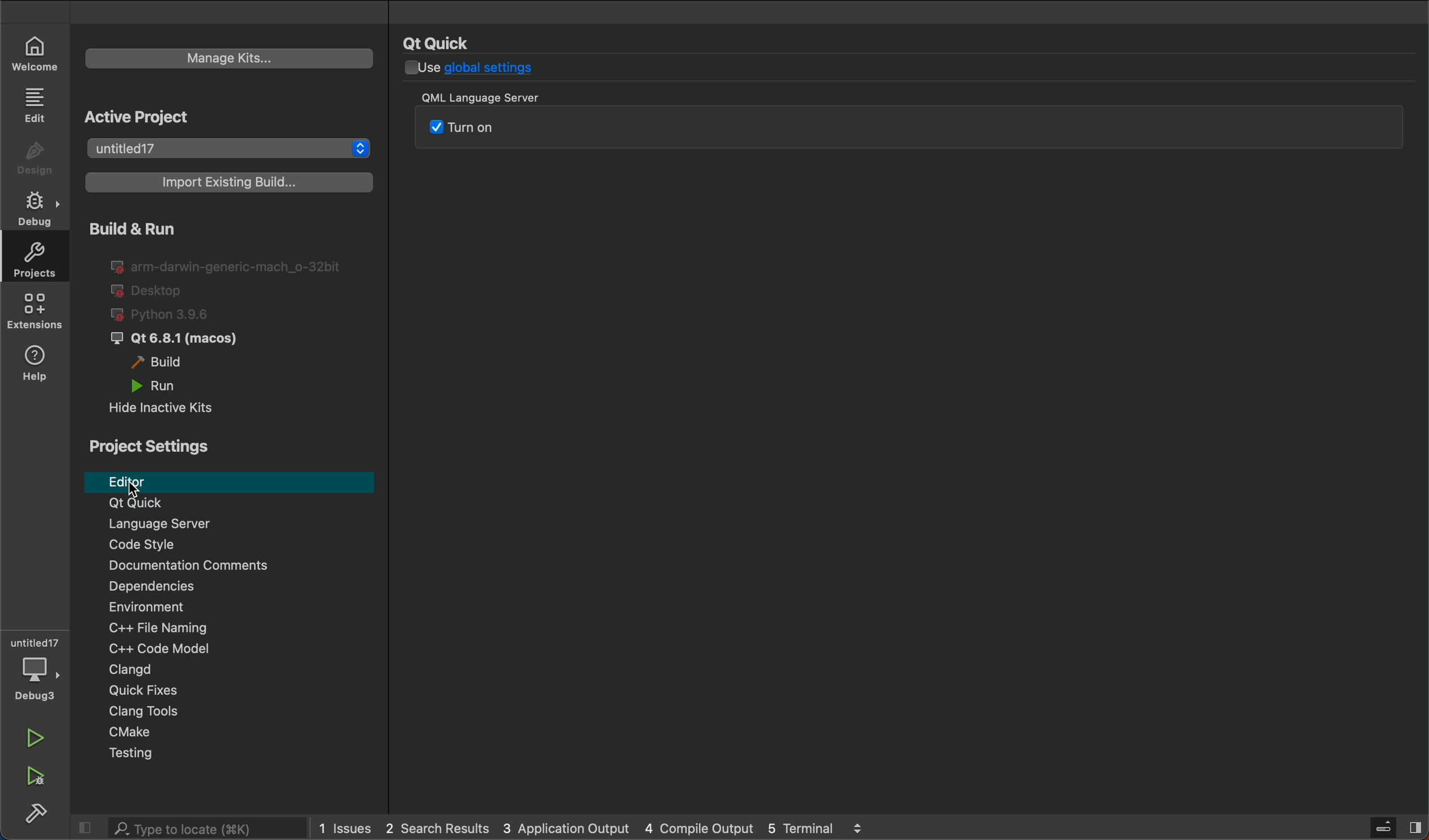 Image resolution: width=1429 pixels, height=840 pixels. What do you see at coordinates (244, 546) in the screenshot?
I see `code style` at bounding box center [244, 546].